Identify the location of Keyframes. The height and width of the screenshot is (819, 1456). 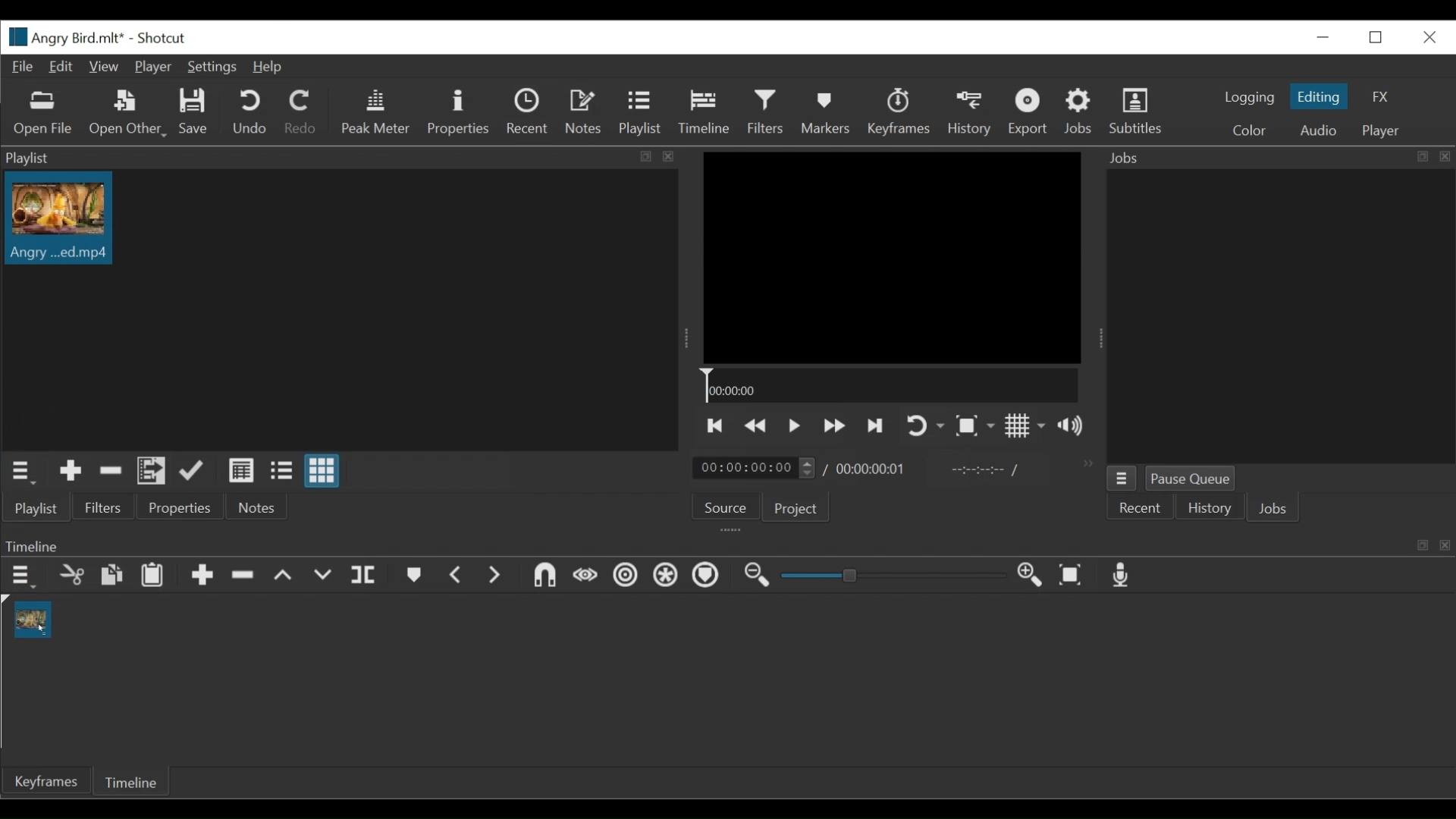
(899, 111).